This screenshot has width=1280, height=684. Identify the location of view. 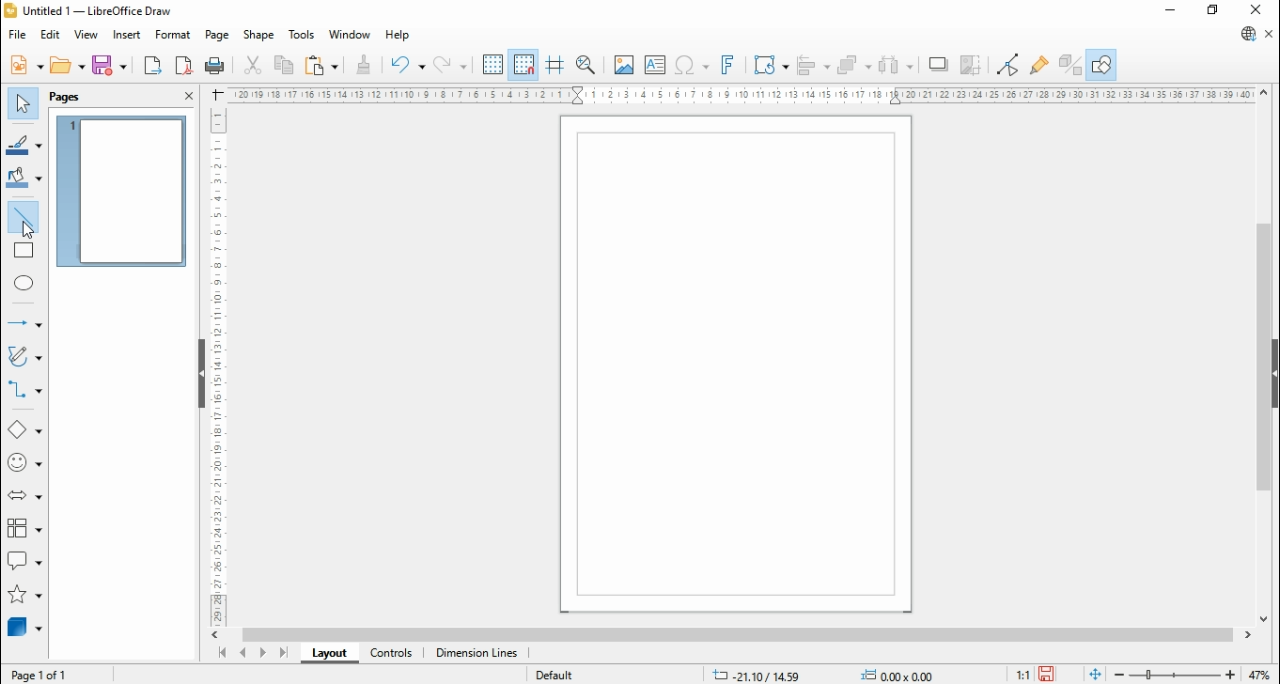
(86, 36).